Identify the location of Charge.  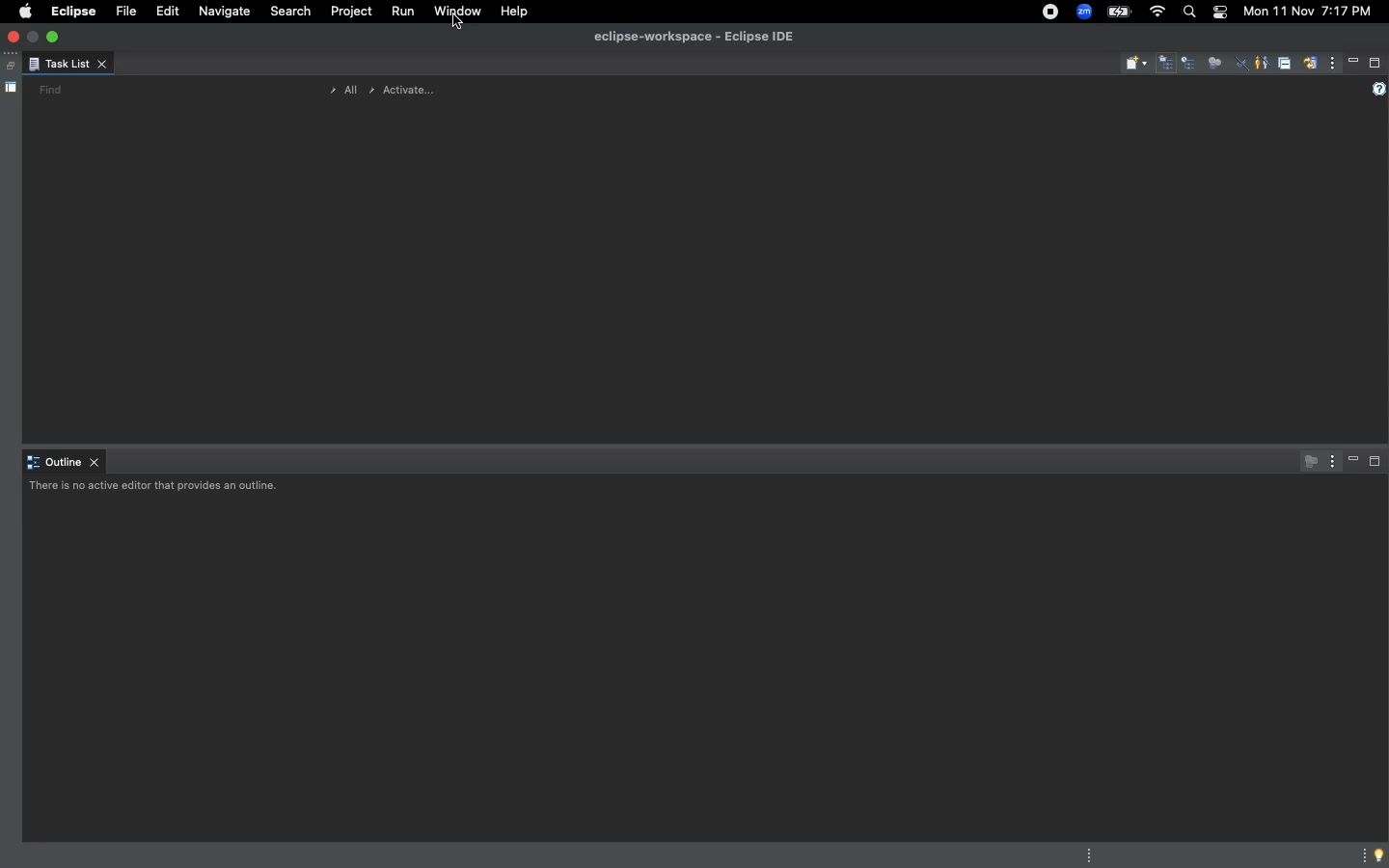
(1121, 12).